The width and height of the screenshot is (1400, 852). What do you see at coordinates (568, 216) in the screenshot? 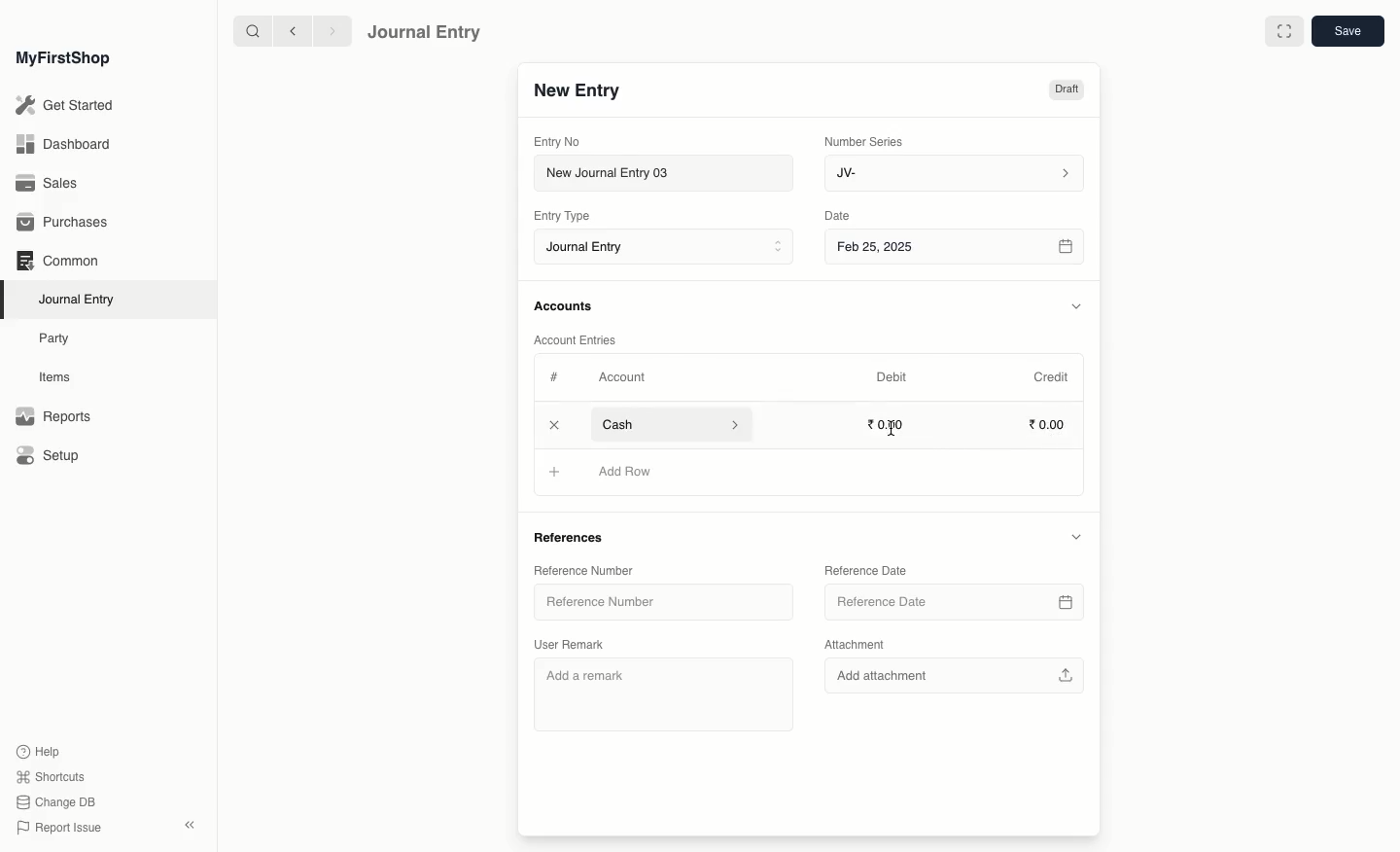
I see `Entry Type` at bounding box center [568, 216].